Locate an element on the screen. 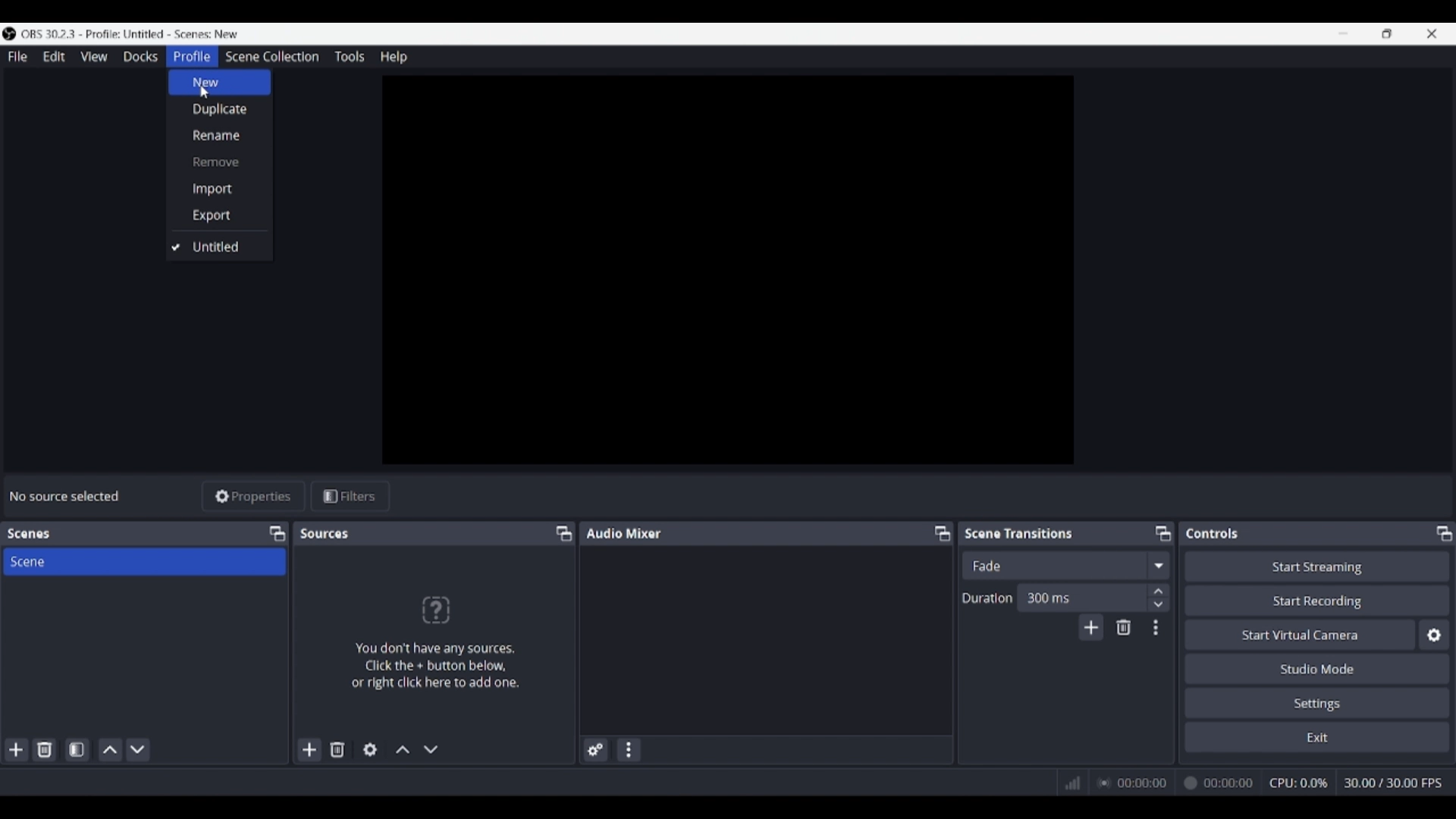 This screenshot has width=1456, height=819. Minimize is located at coordinates (1343, 33).